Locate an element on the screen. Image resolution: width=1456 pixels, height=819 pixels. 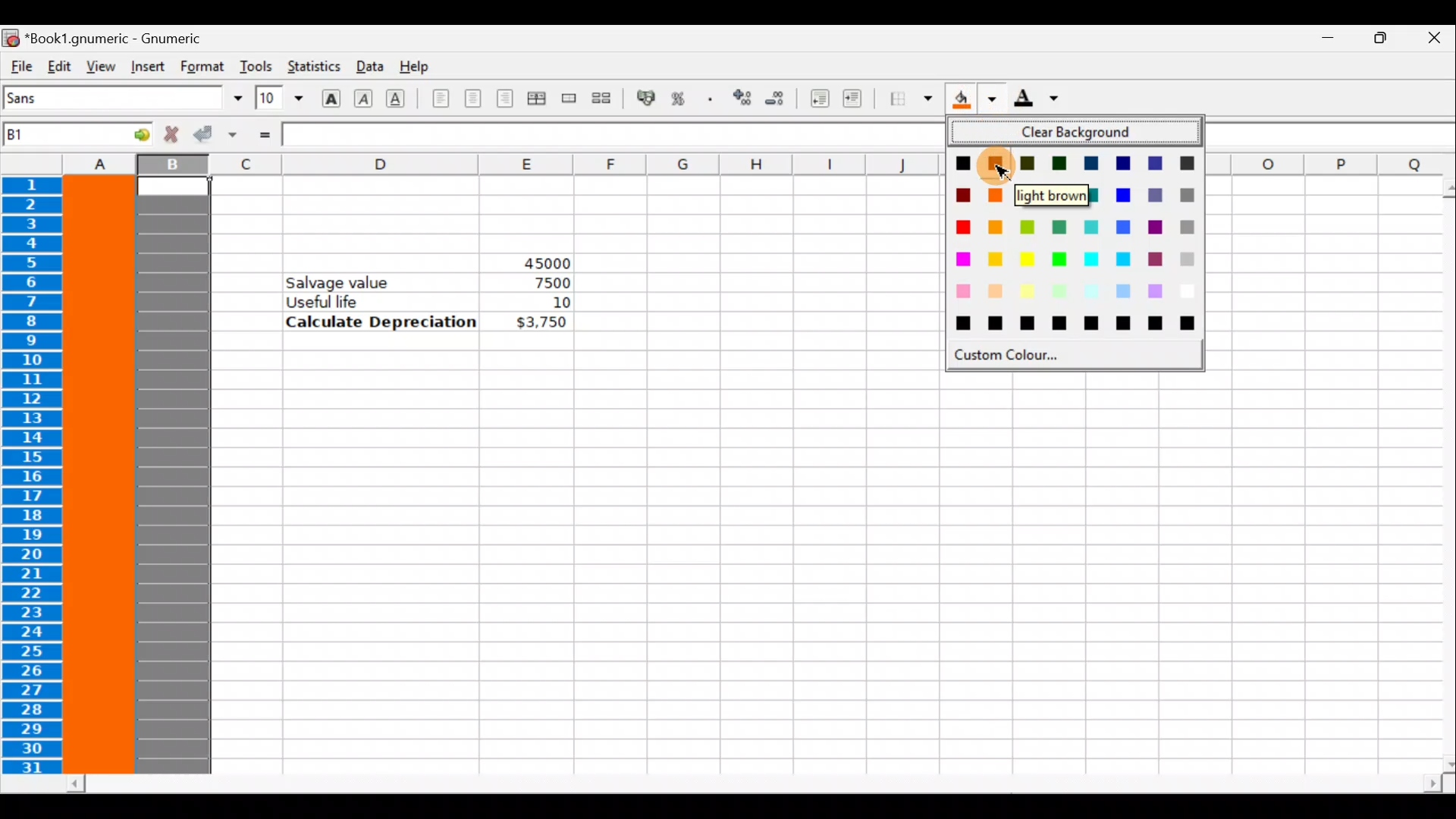
Decrease indent, align contents to the left is located at coordinates (815, 99).